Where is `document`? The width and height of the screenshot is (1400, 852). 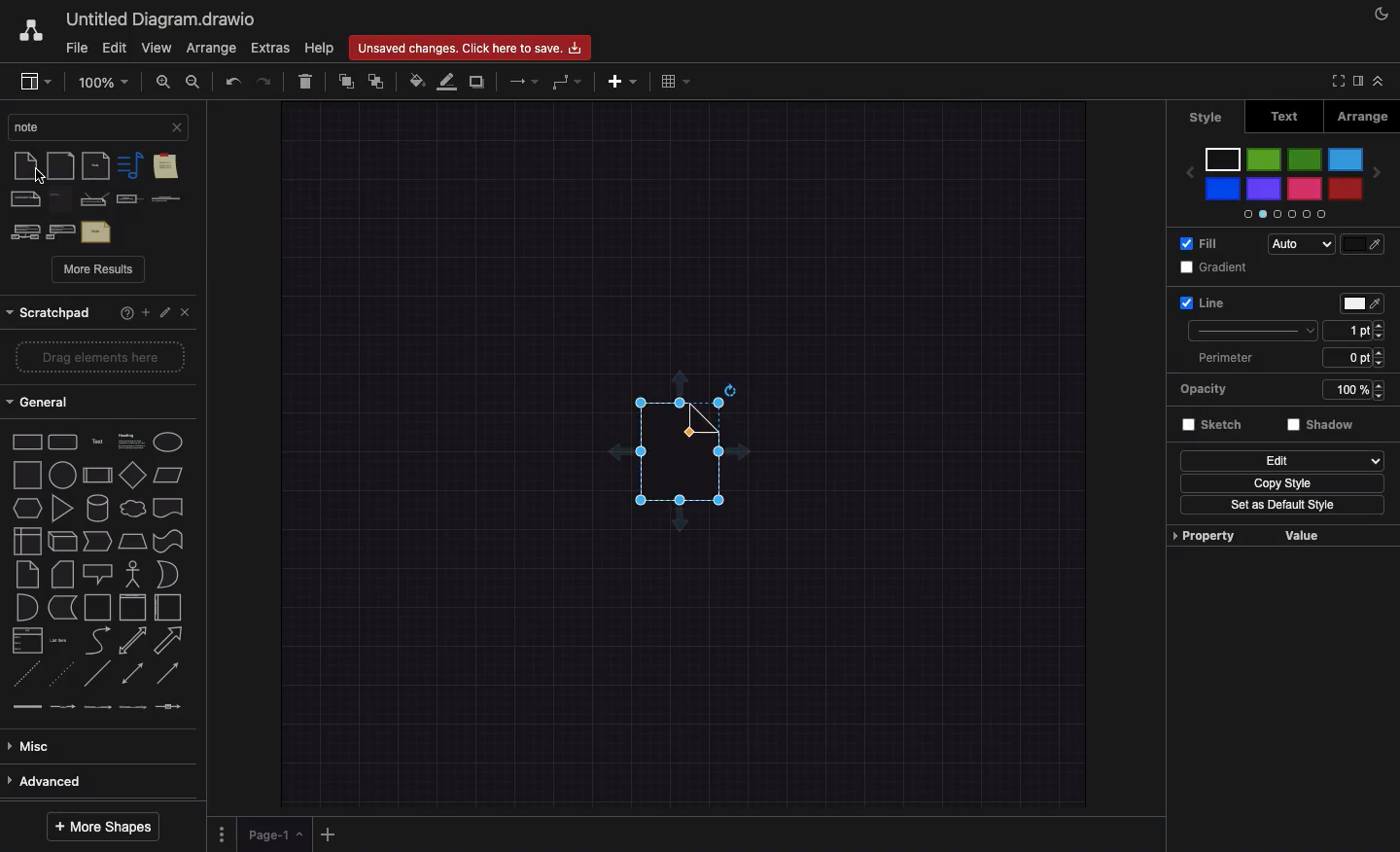
document is located at coordinates (61, 166).